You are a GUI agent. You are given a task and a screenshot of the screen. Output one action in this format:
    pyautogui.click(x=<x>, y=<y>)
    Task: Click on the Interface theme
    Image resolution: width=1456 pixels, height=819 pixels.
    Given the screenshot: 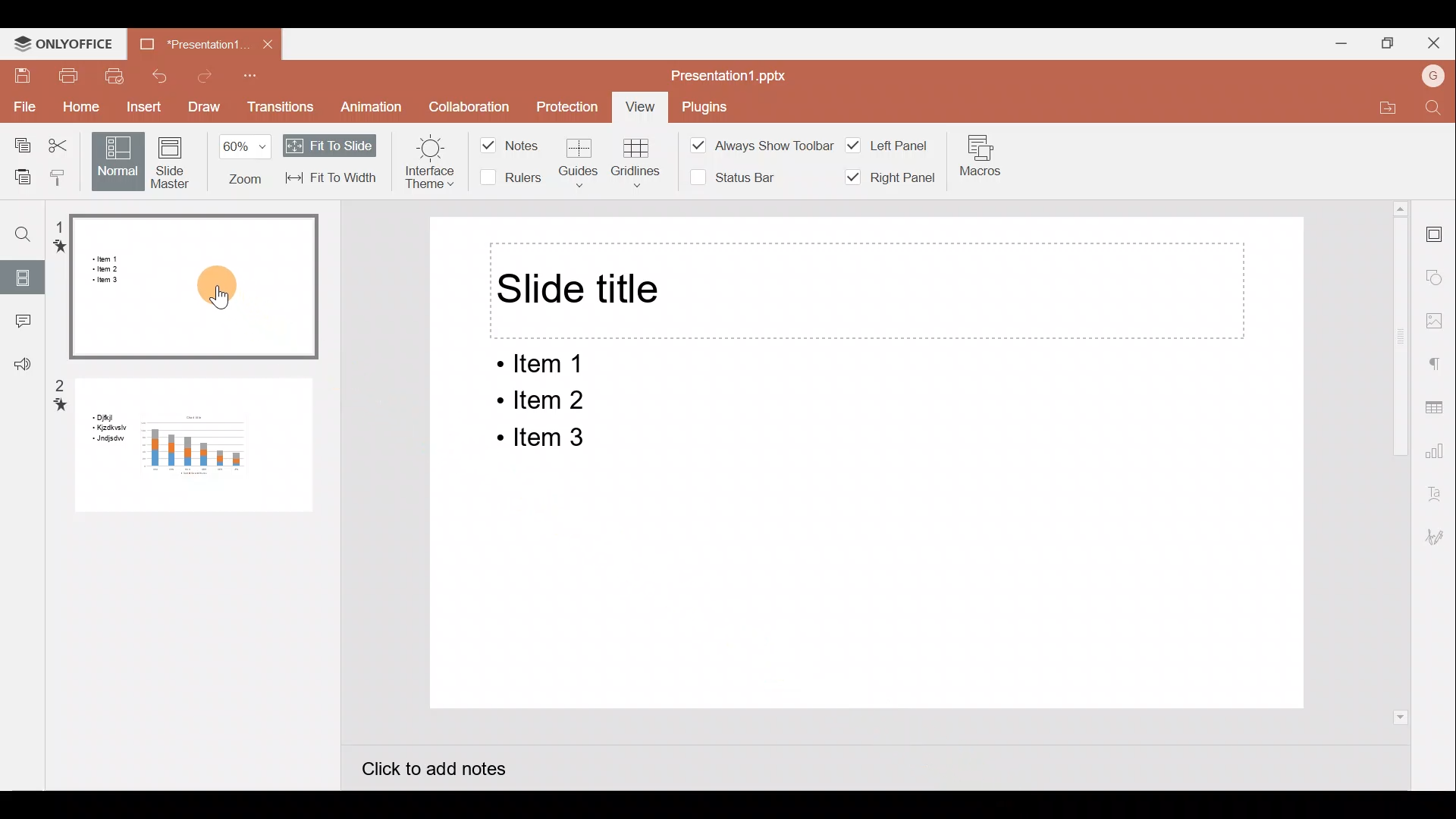 What is the action you would take?
    pyautogui.click(x=431, y=160)
    